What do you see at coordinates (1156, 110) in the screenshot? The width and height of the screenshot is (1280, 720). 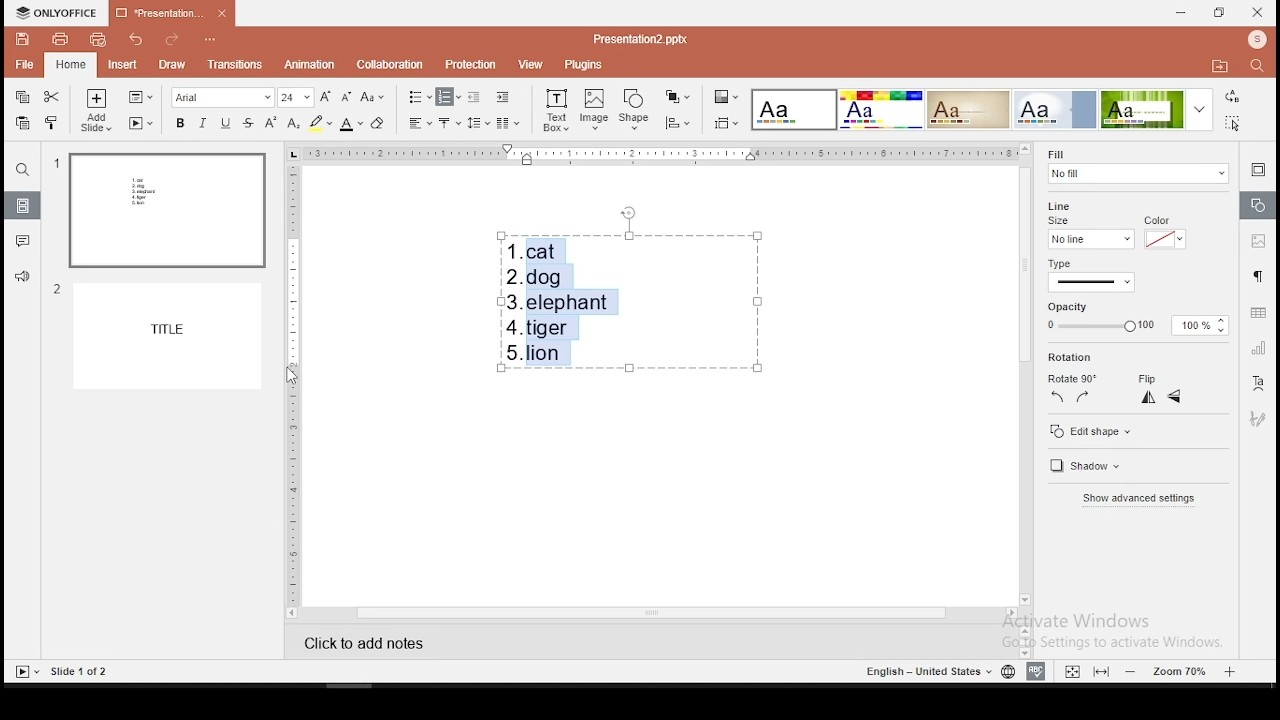 I see `theme ` at bounding box center [1156, 110].